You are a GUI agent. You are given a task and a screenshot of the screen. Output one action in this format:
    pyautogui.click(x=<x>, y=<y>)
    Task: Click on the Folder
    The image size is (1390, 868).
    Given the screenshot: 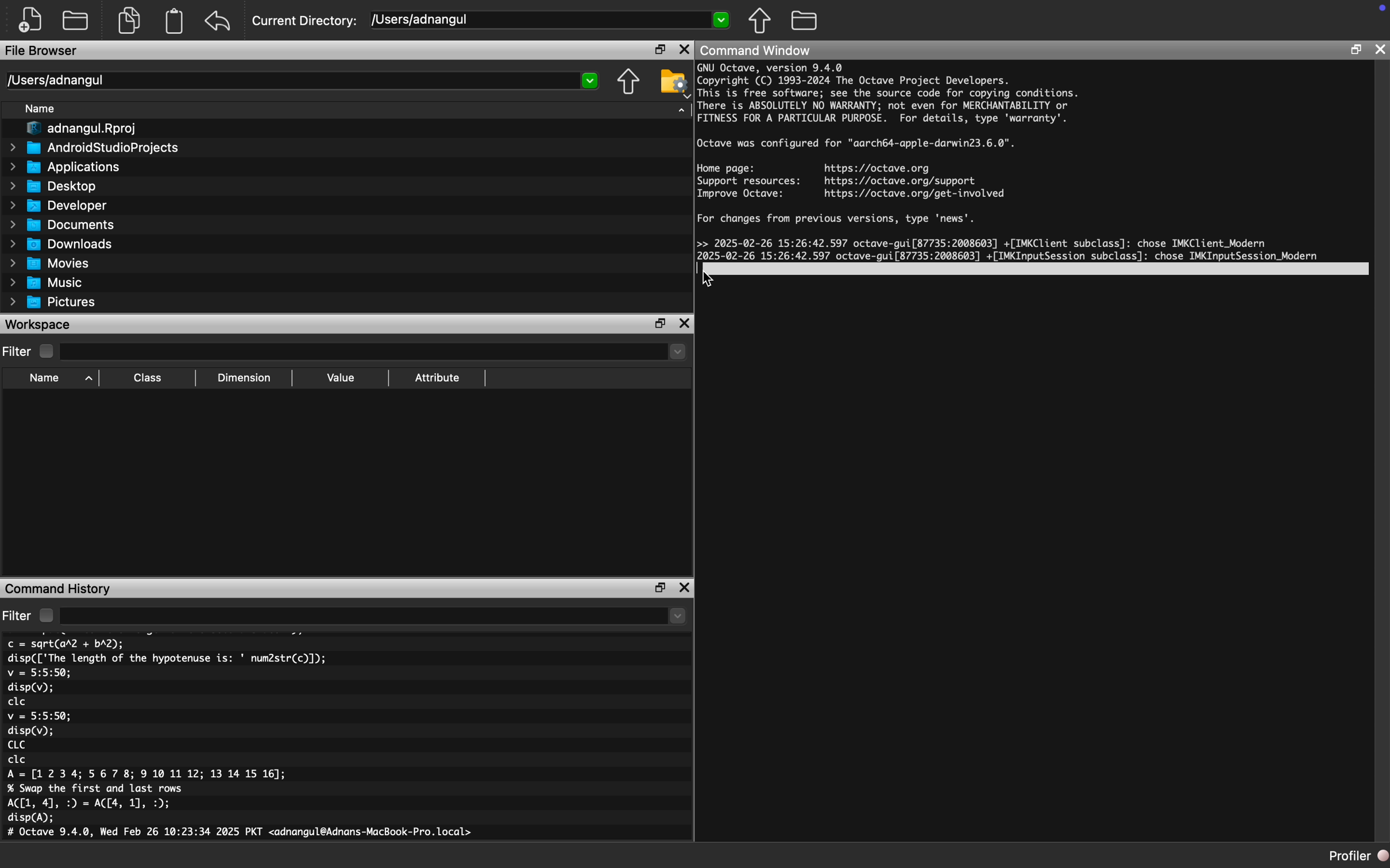 What is the action you would take?
    pyautogui.click(x=805, y=21)
    